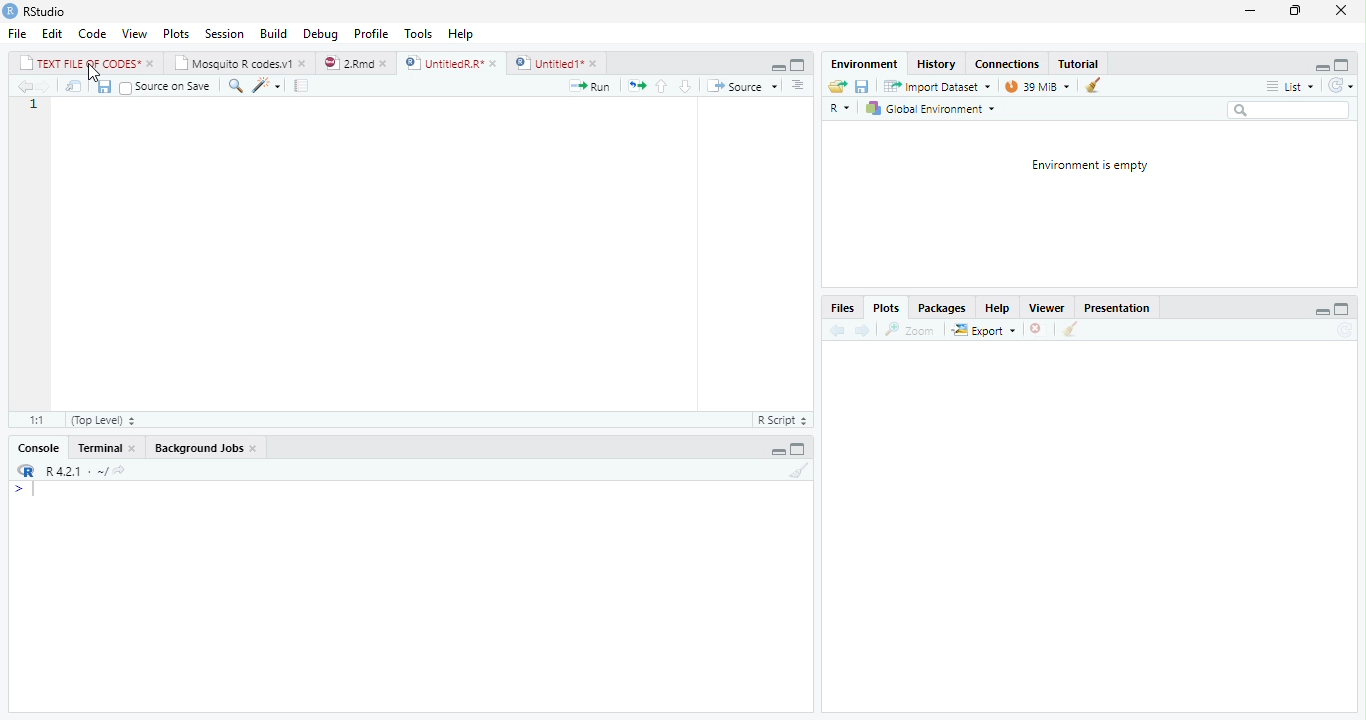 This screenshot has width=1366, height=720. Describe the element at coordinates (1092, 86) in the screenshot. I see `Clean` at that location.